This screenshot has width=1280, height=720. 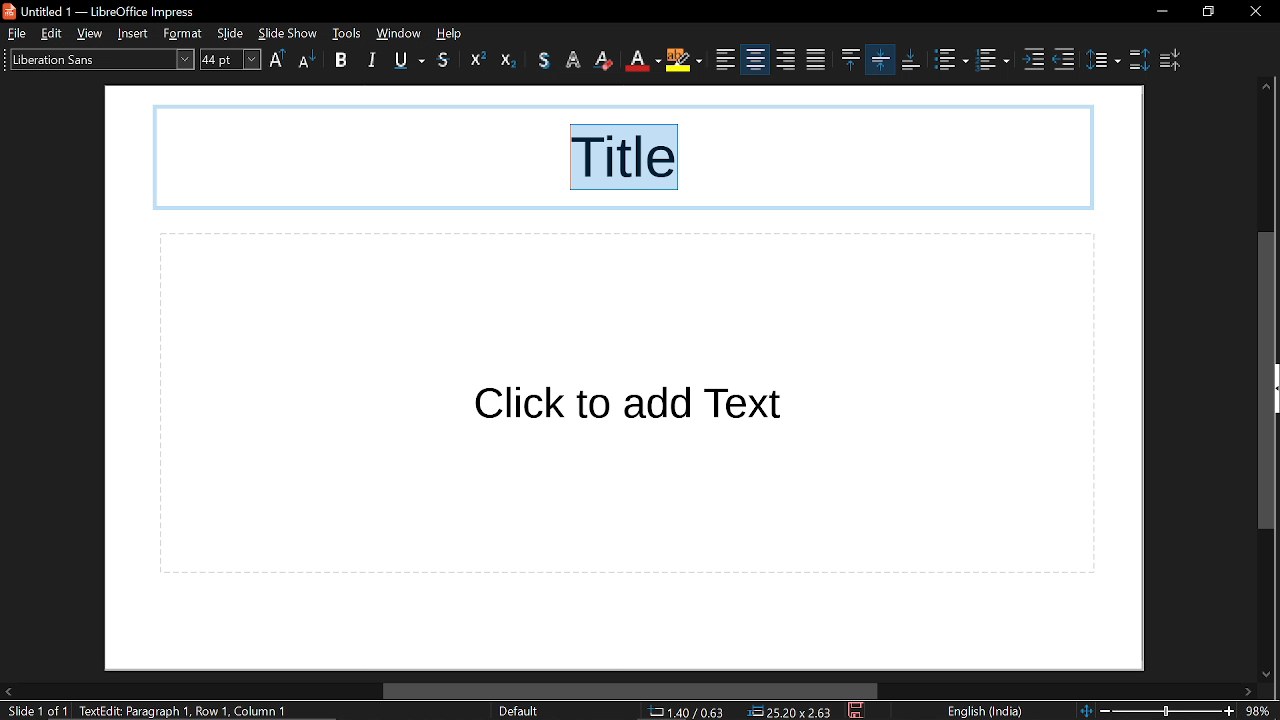 I want to click on edit, so click(x=54, y=34).